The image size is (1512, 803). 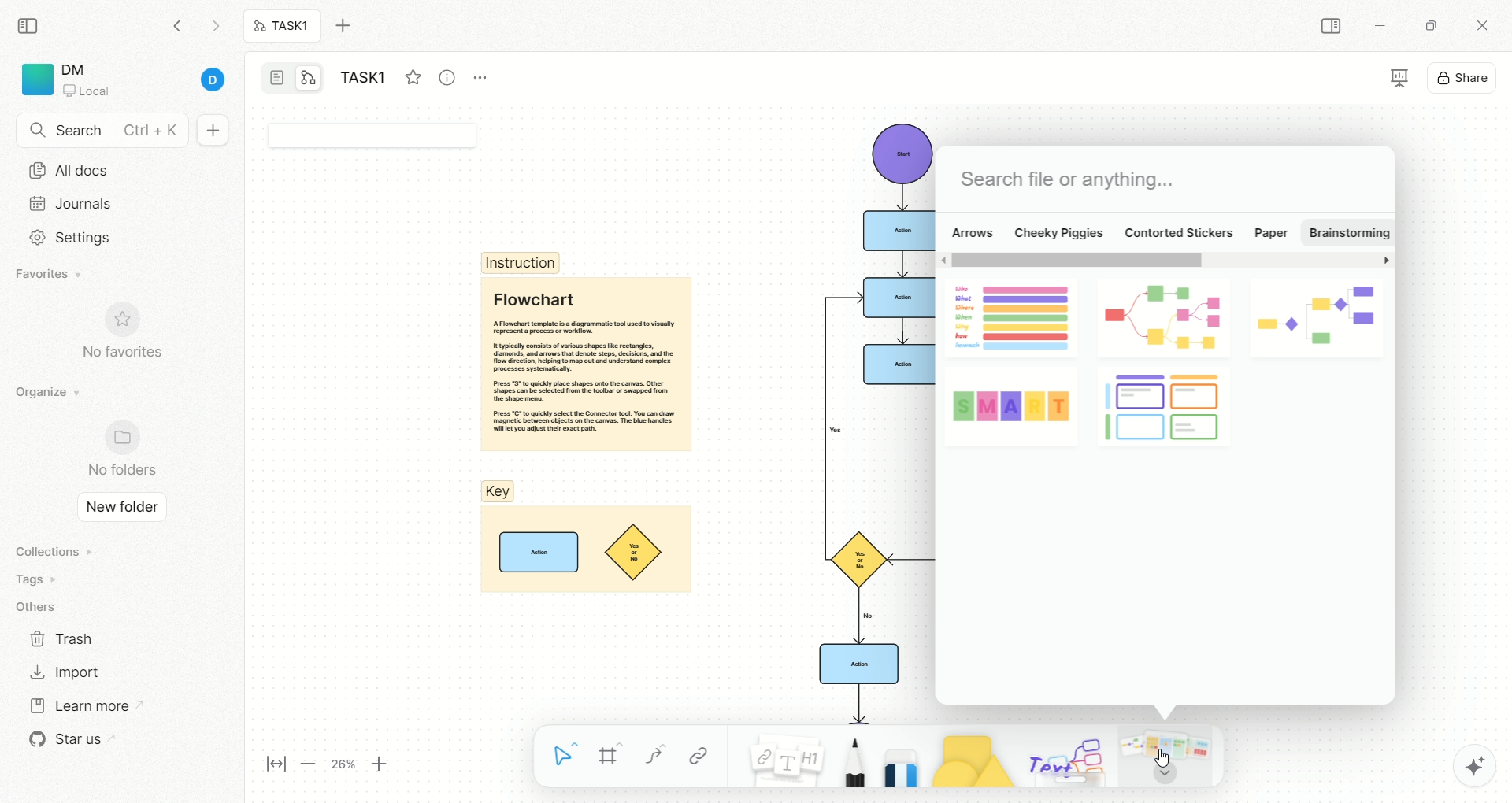 I want to click on task1, so click(x=367, y=80).